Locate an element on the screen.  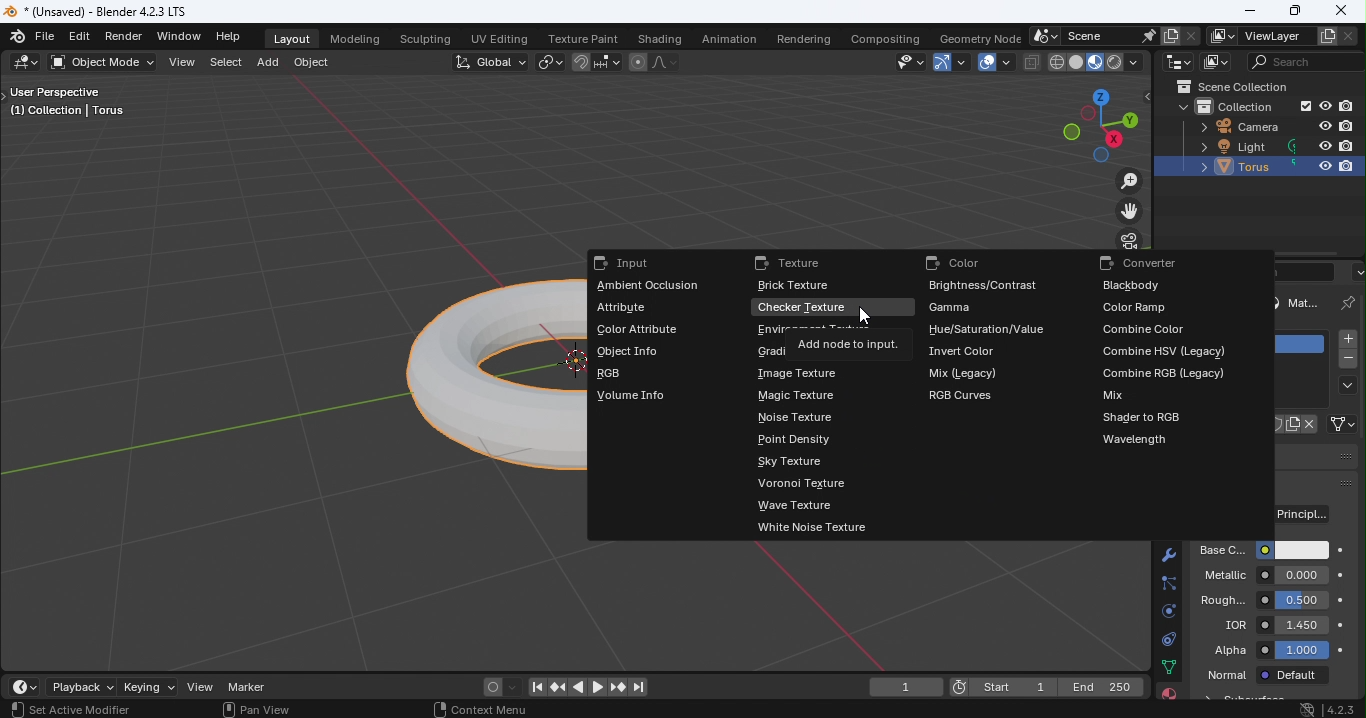
Normal is located at coordinates (1265, 676).